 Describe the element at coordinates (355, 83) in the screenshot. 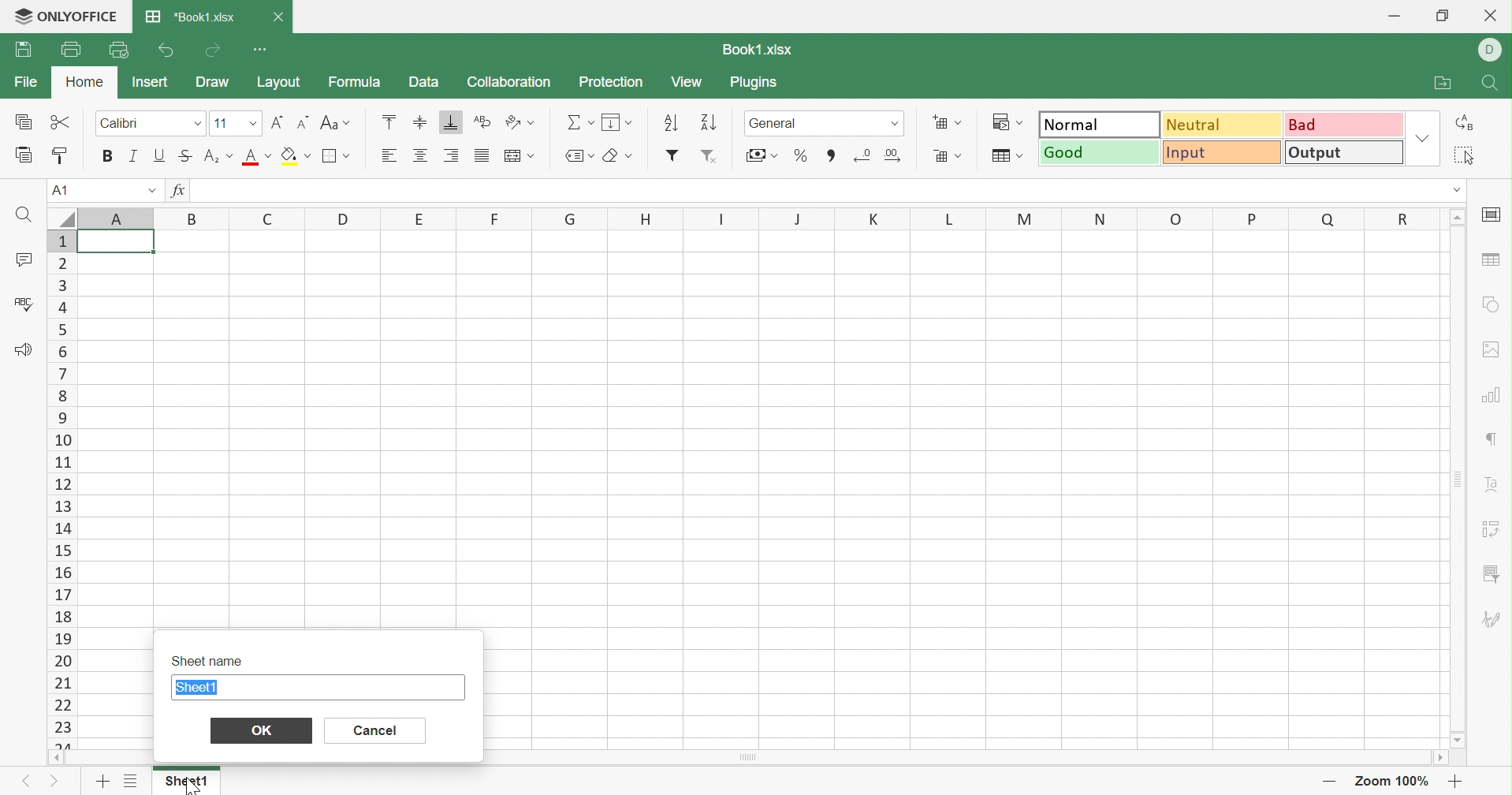

I see `Formula` at that location.